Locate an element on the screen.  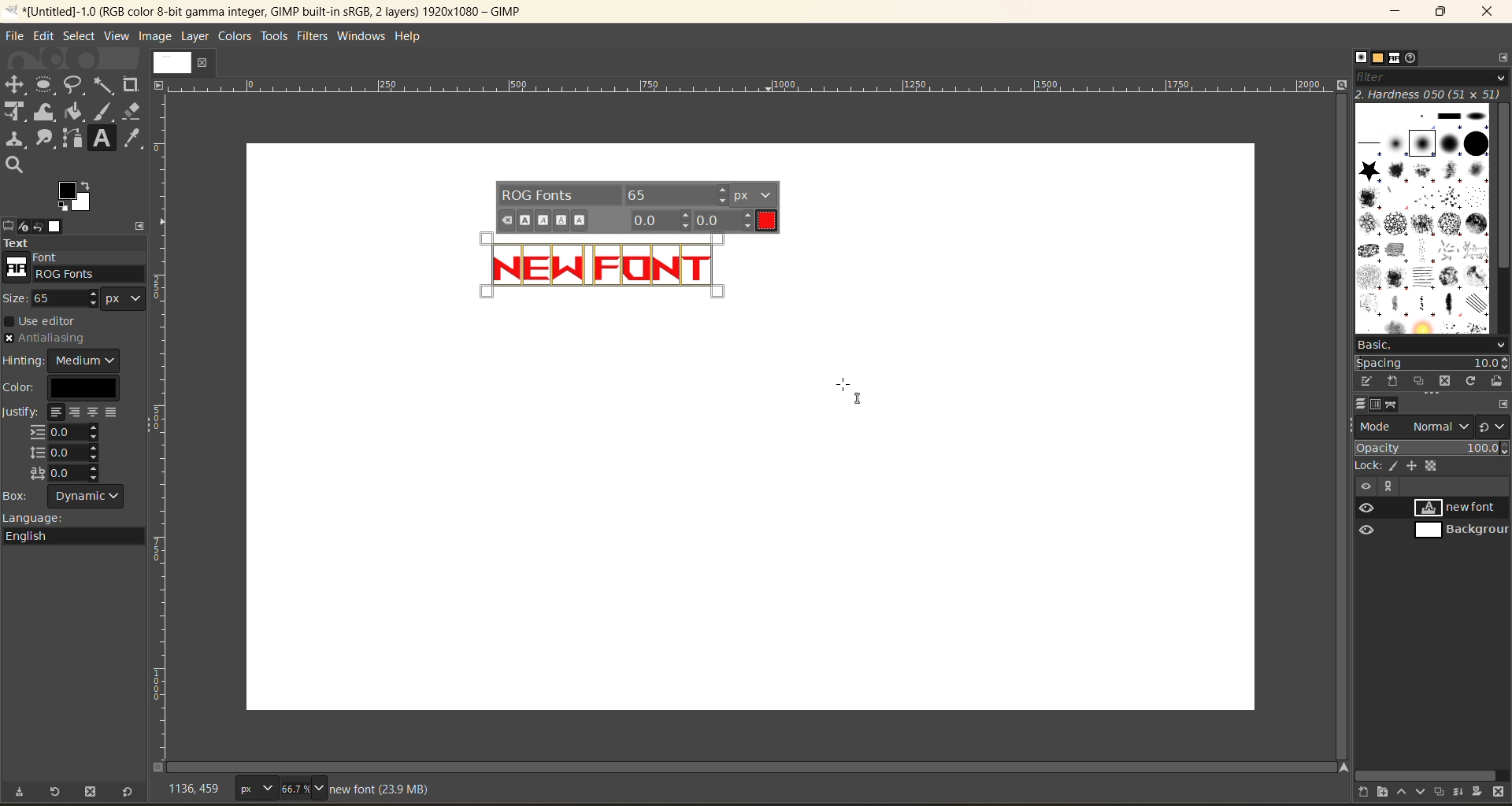
refresh brushes is located at coordinates (1473, 383).